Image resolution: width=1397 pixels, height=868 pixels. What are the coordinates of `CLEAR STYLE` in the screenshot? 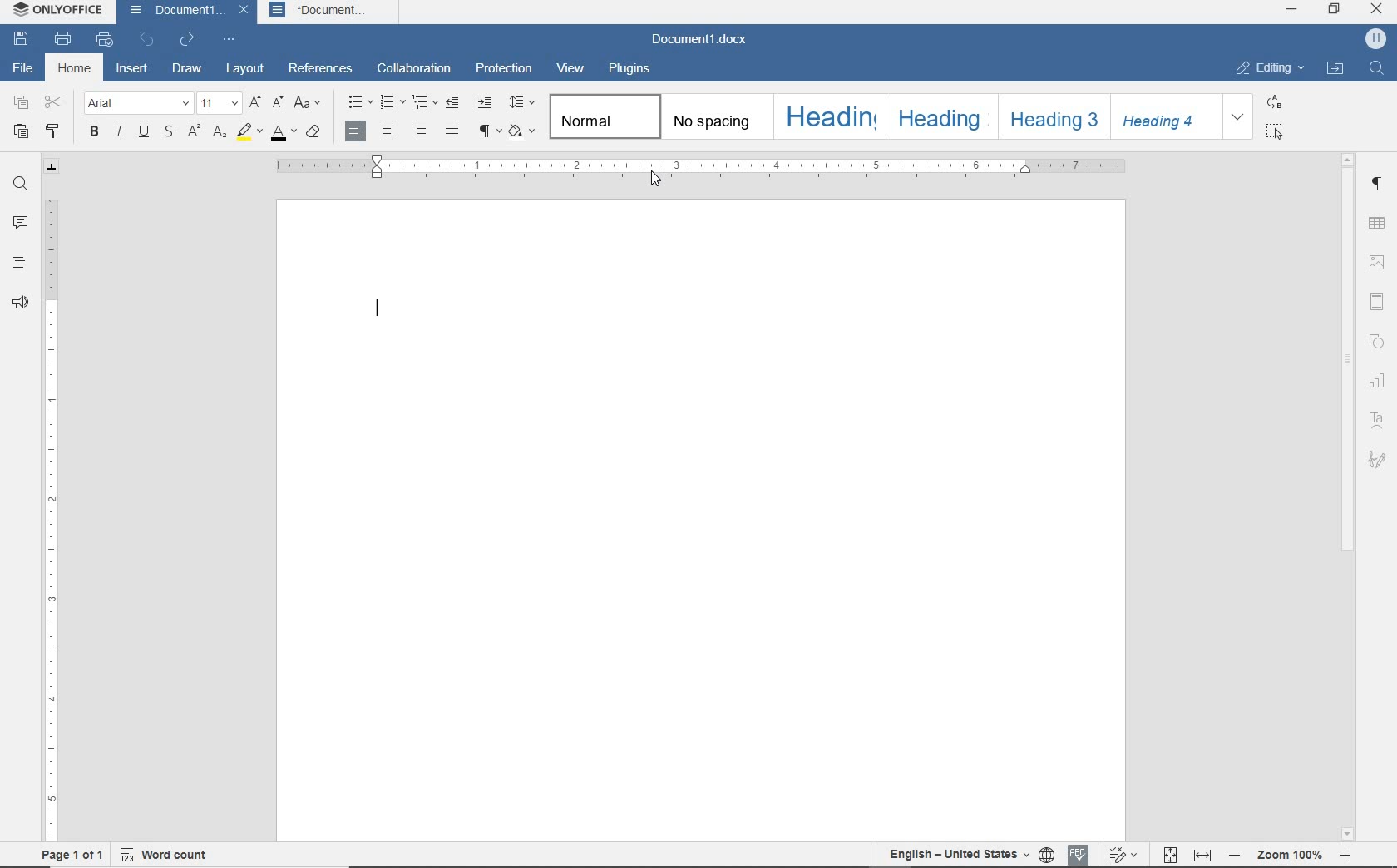 It's located at (313, 133).